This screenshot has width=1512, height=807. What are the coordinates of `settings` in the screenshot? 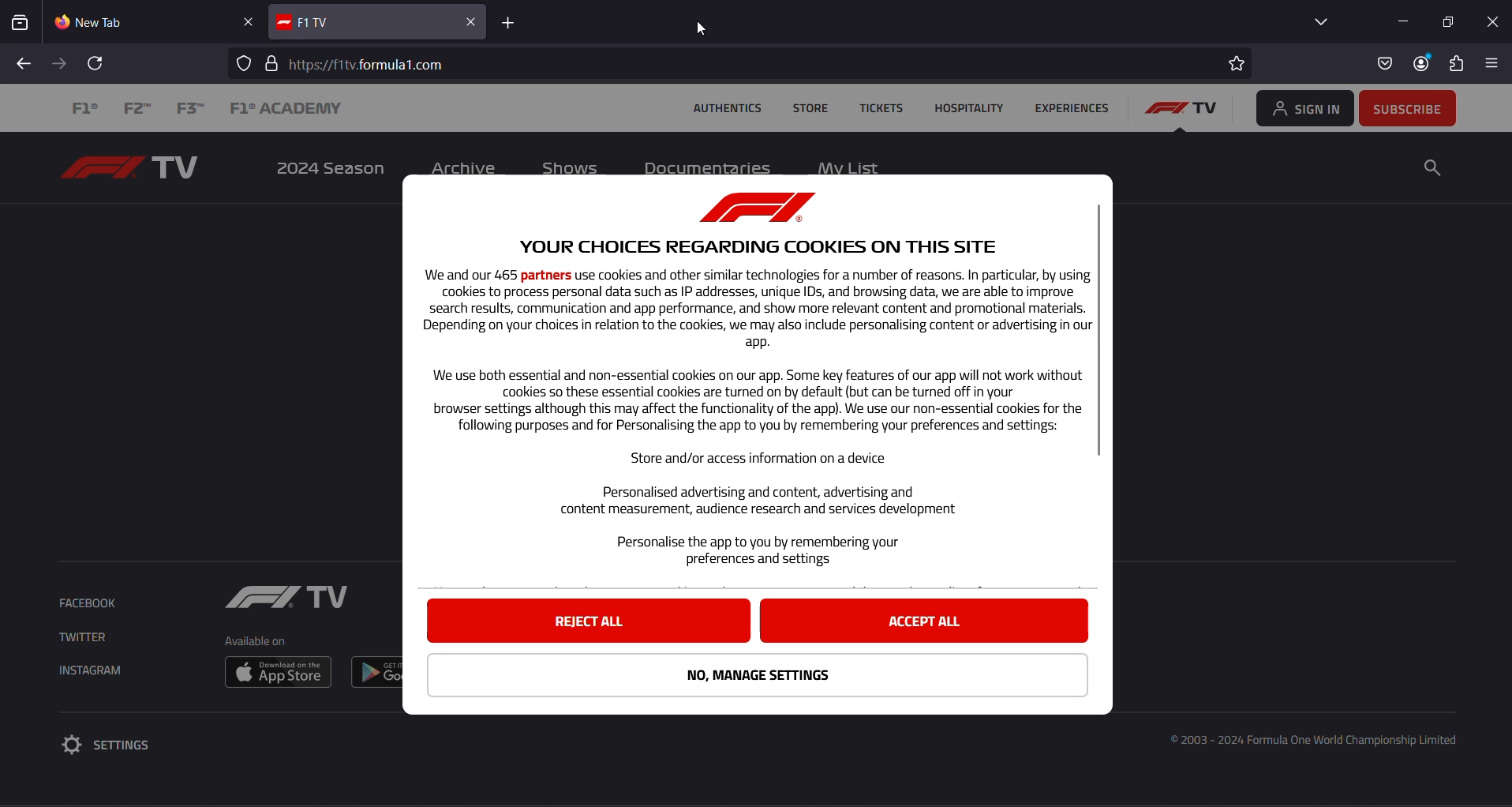 It's located at (118, 745).